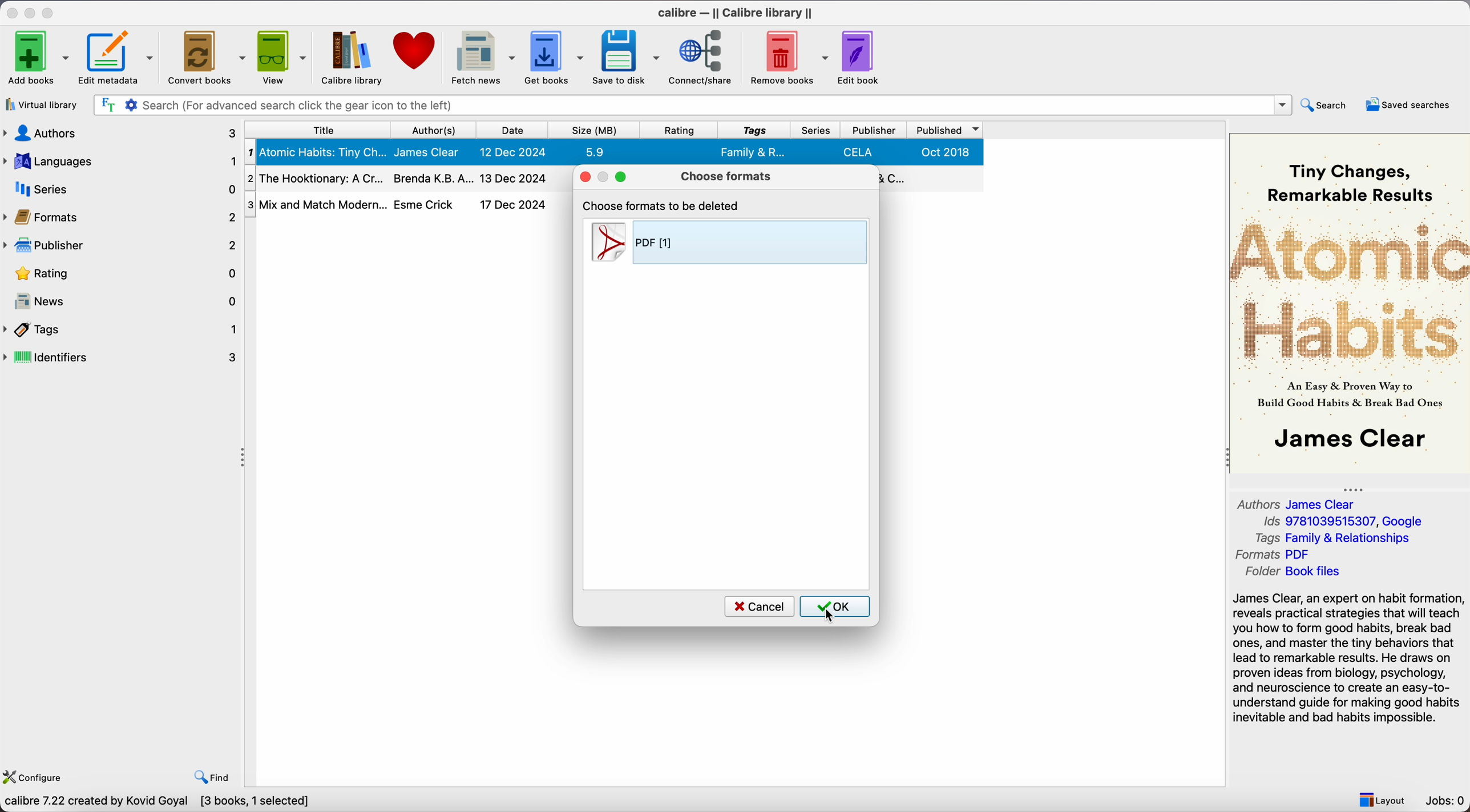 The height and width of the screenshot is (812, 1470). I want to click on choose formats, so click(730, 176).